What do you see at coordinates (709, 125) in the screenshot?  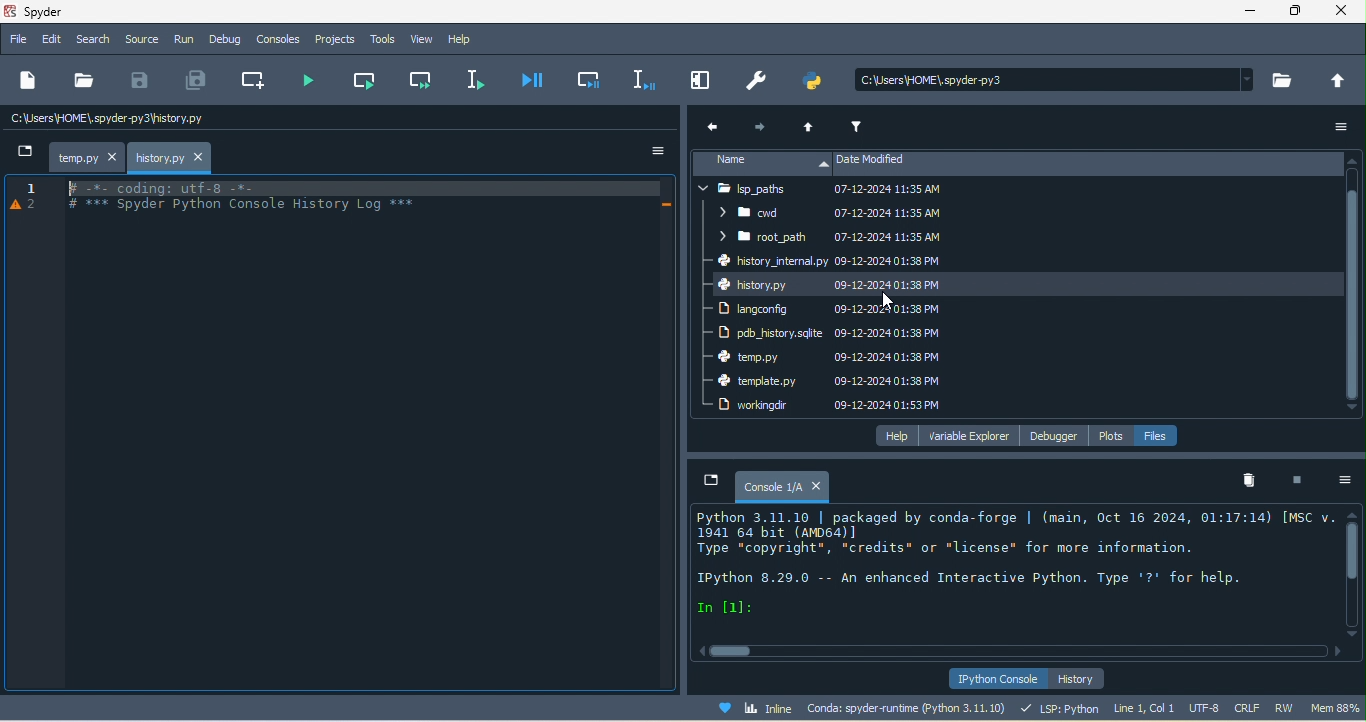 I see `previous` at bounding box center [709, 125].